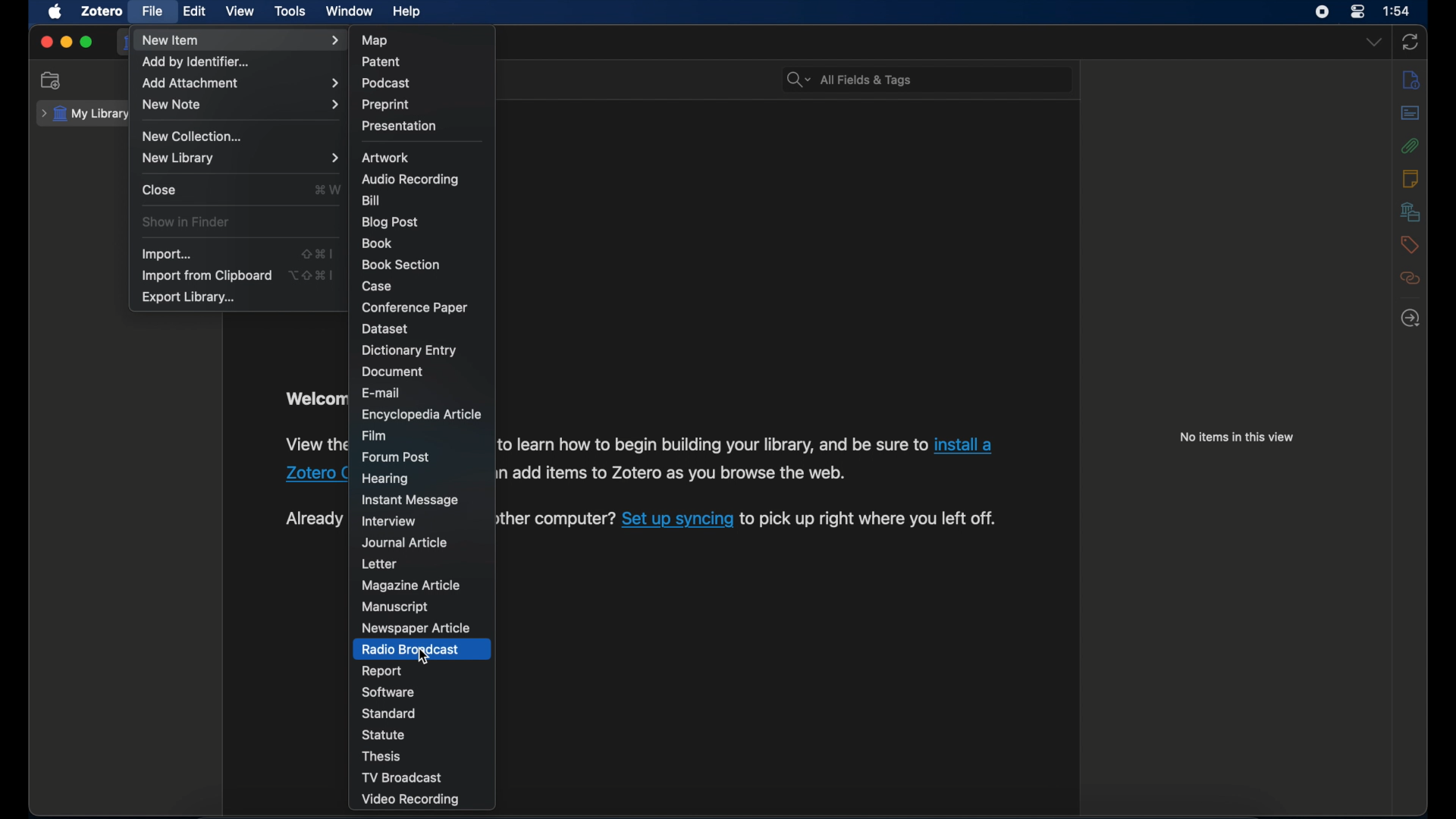  I want to click on map, so click(376, 40).